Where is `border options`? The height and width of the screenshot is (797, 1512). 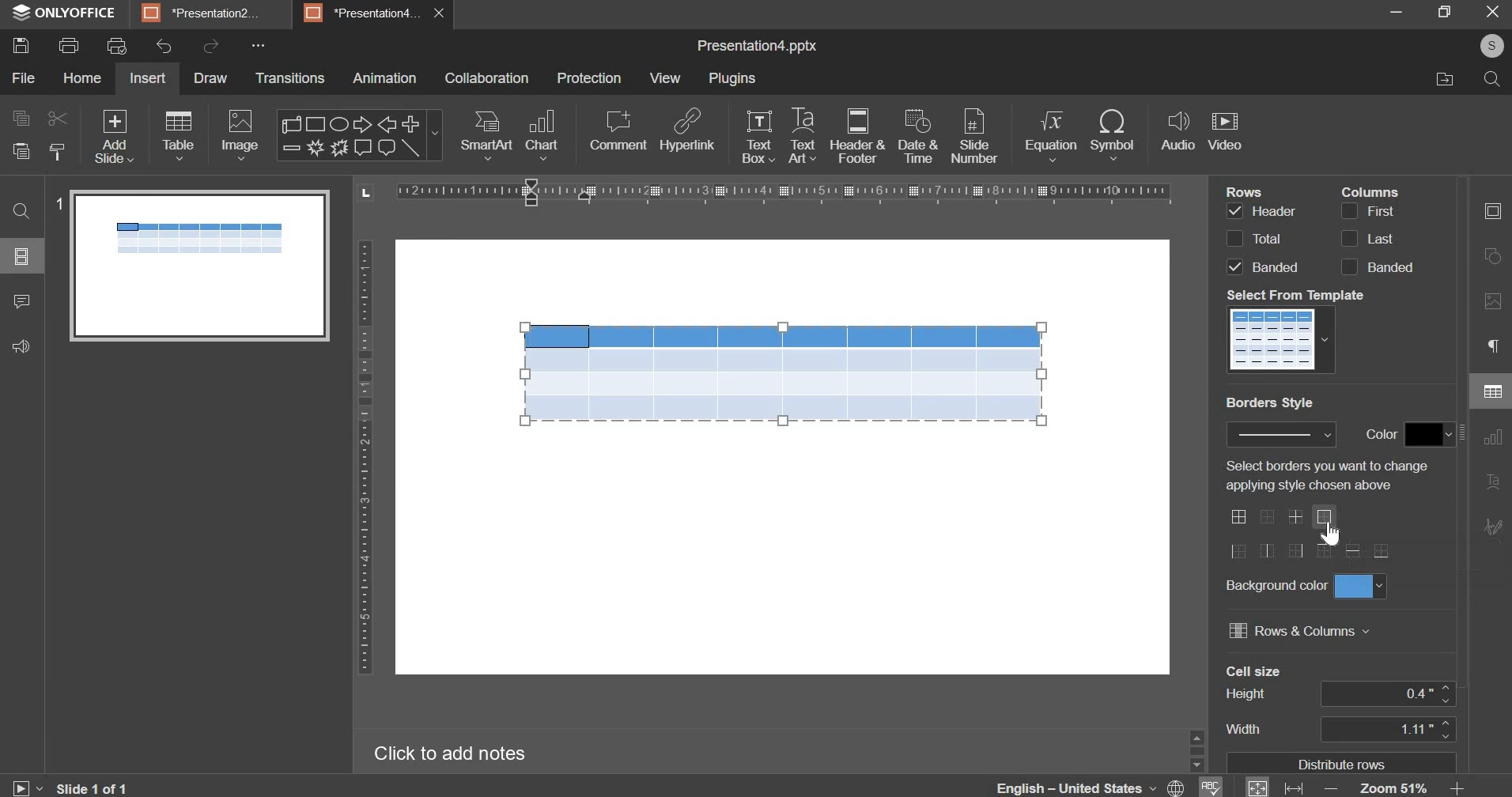
border options is located at coordinates (1325, 513).